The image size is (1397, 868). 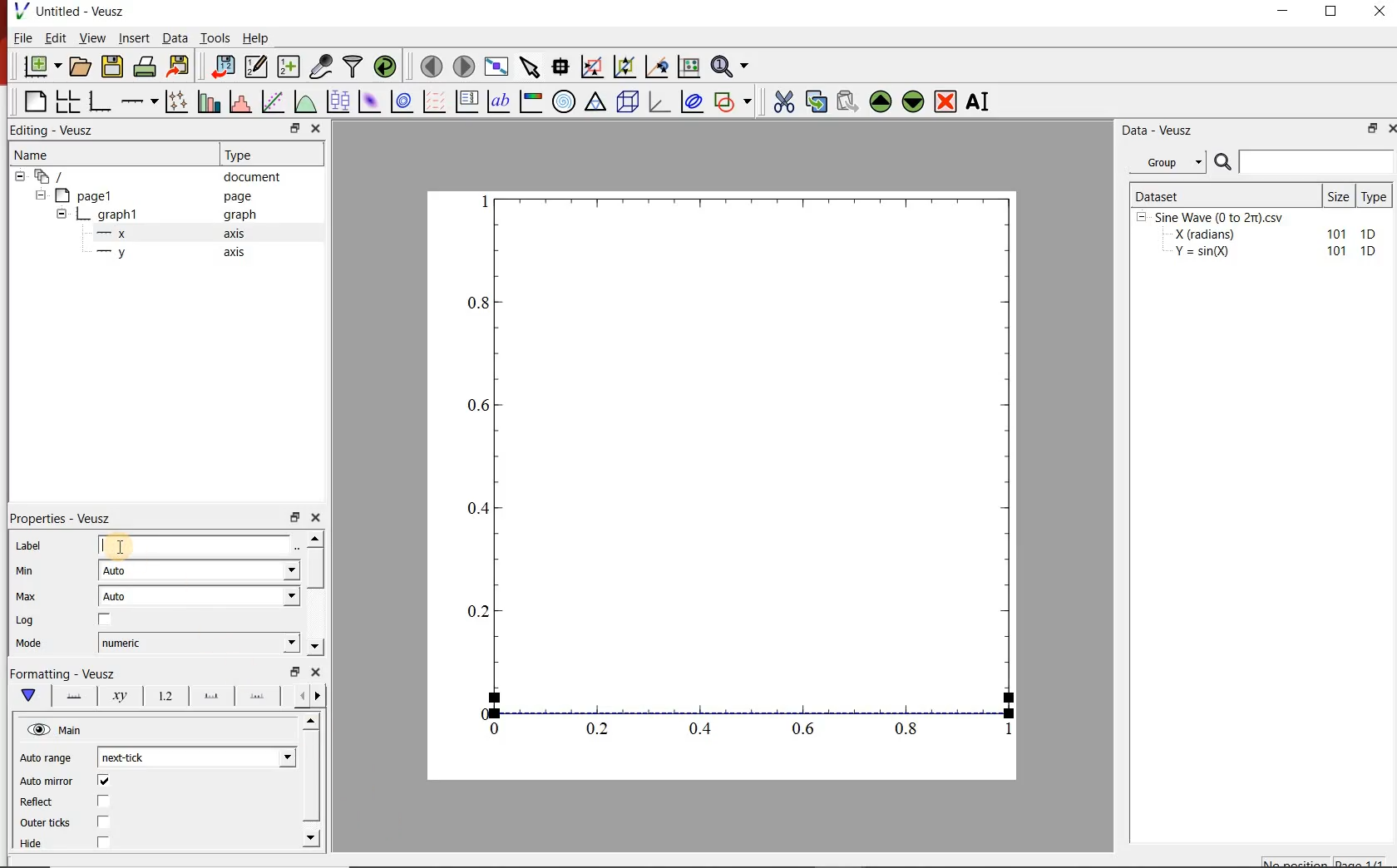 I want to click on ‘Hide, so click(x=32, y=845).